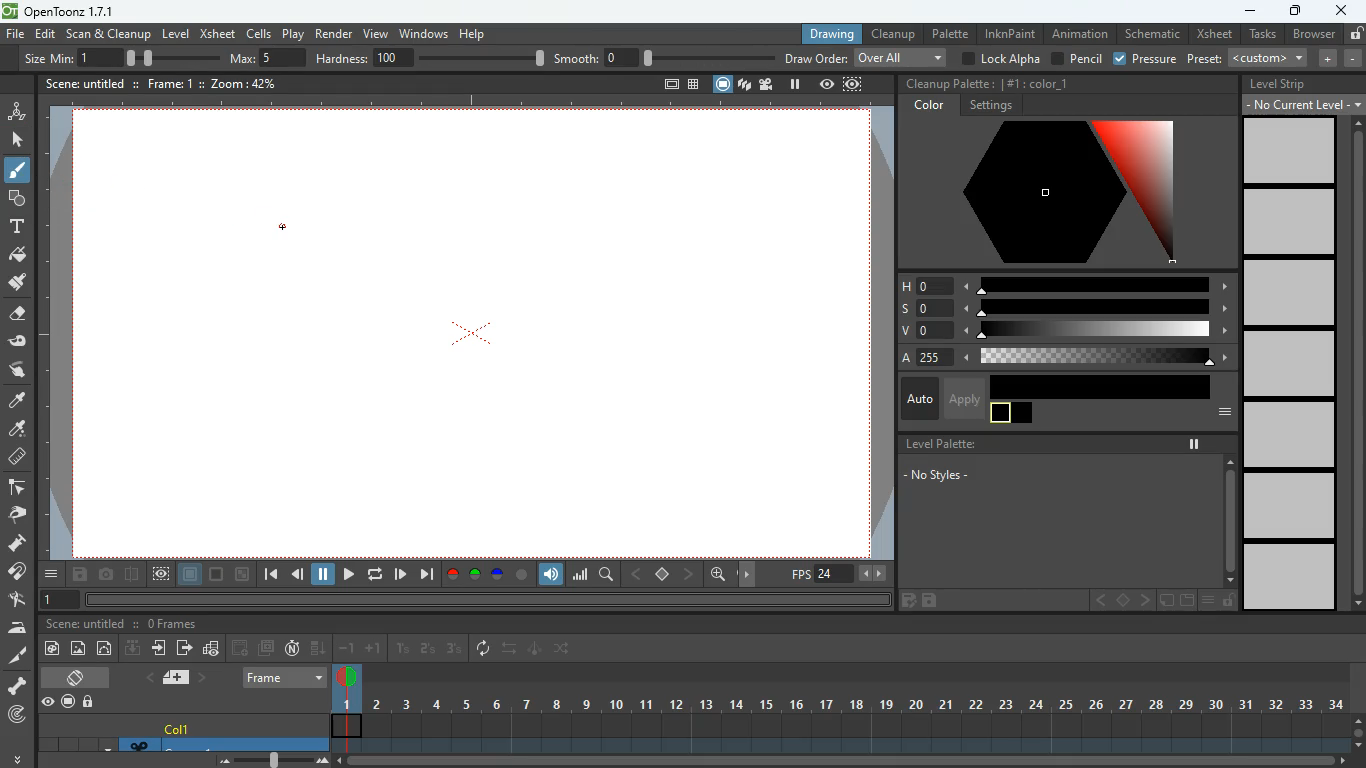 This screenshot has height=768, width=1366. Describe the element at coordinates (180, 744) in the screenshot. I see `Column` at that location.